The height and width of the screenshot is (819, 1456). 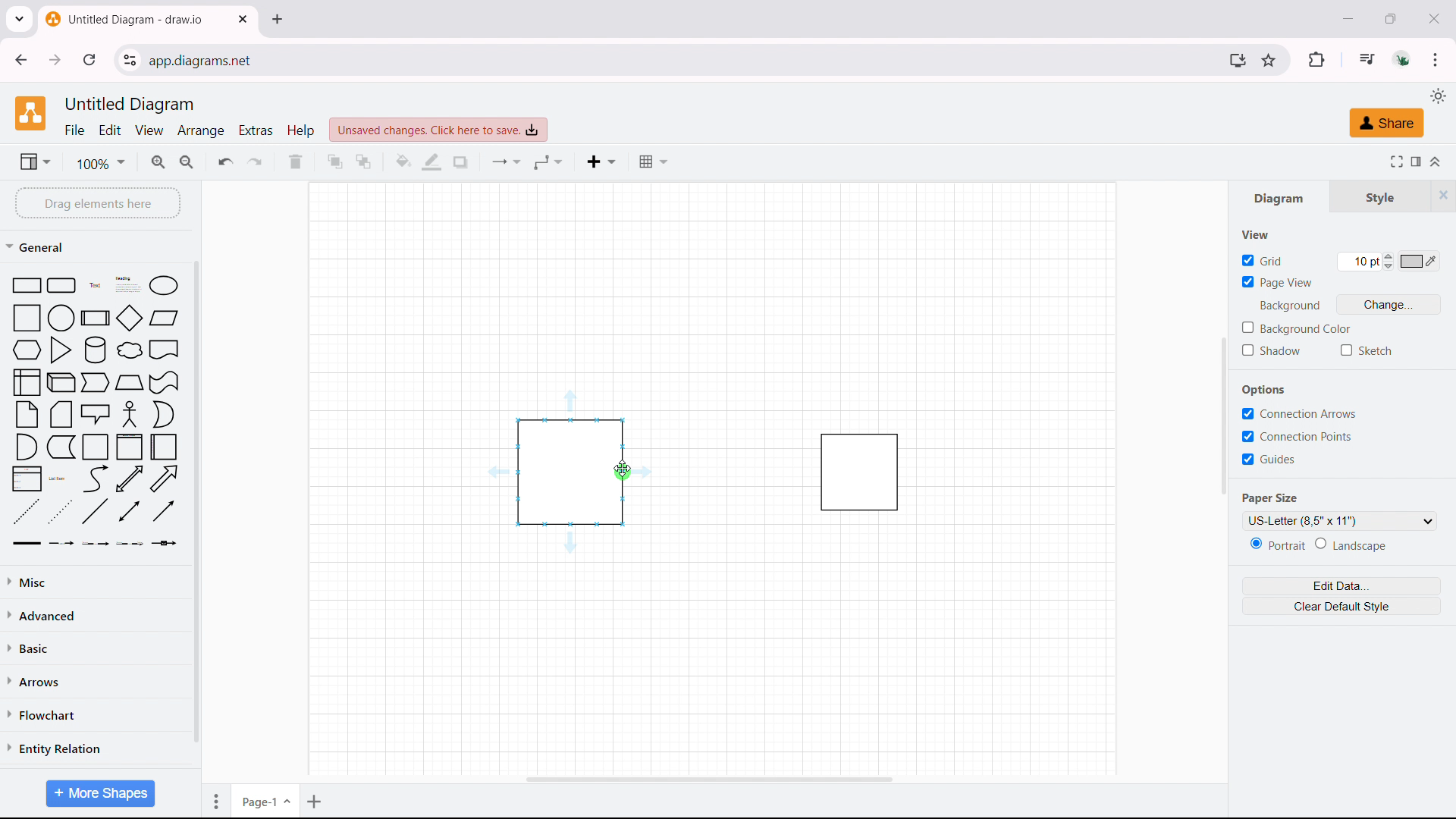 I want to click on table, so click(x=653, y=162).